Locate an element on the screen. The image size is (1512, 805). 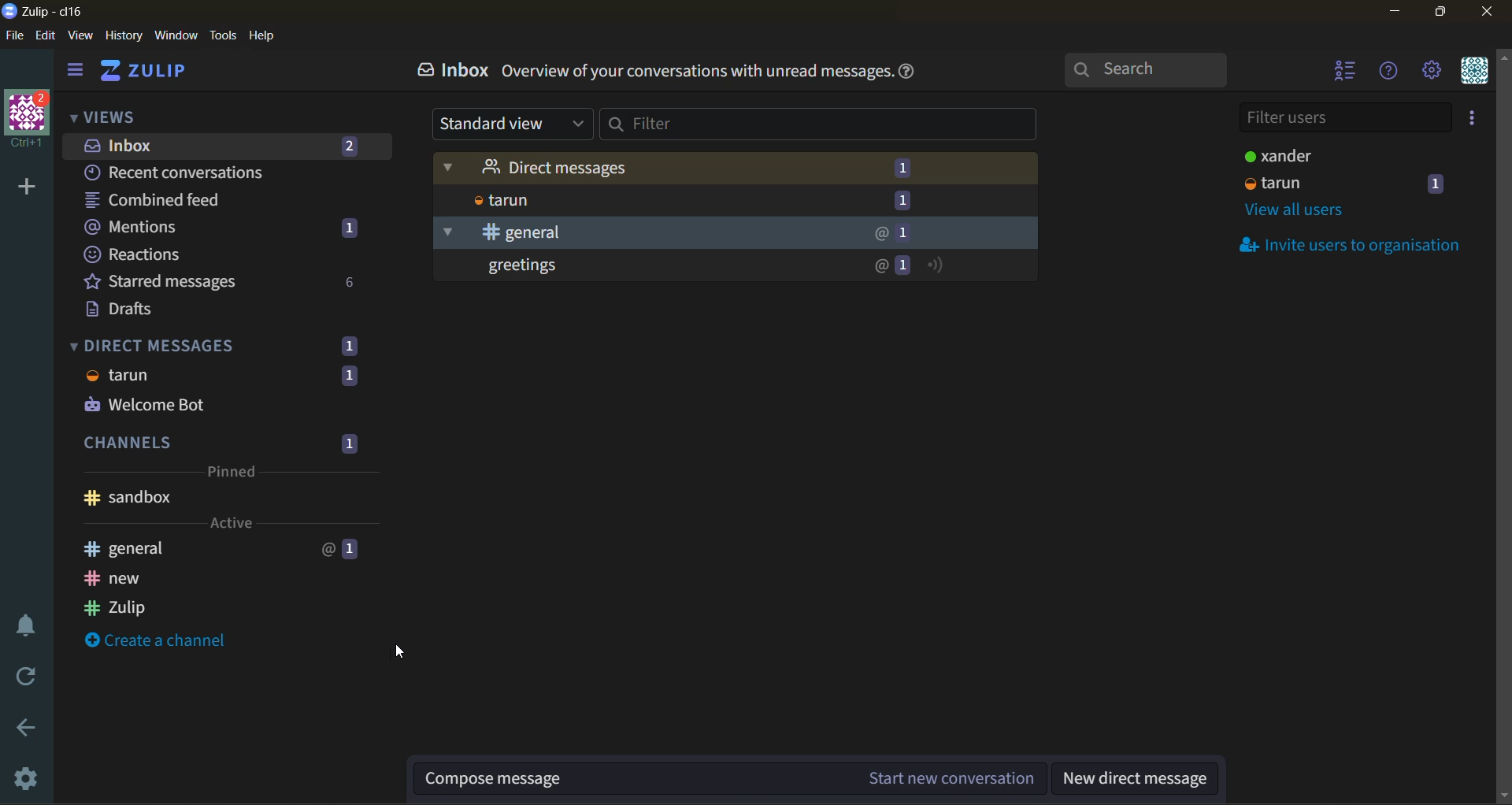
Active is located at coordinates (233, 525).